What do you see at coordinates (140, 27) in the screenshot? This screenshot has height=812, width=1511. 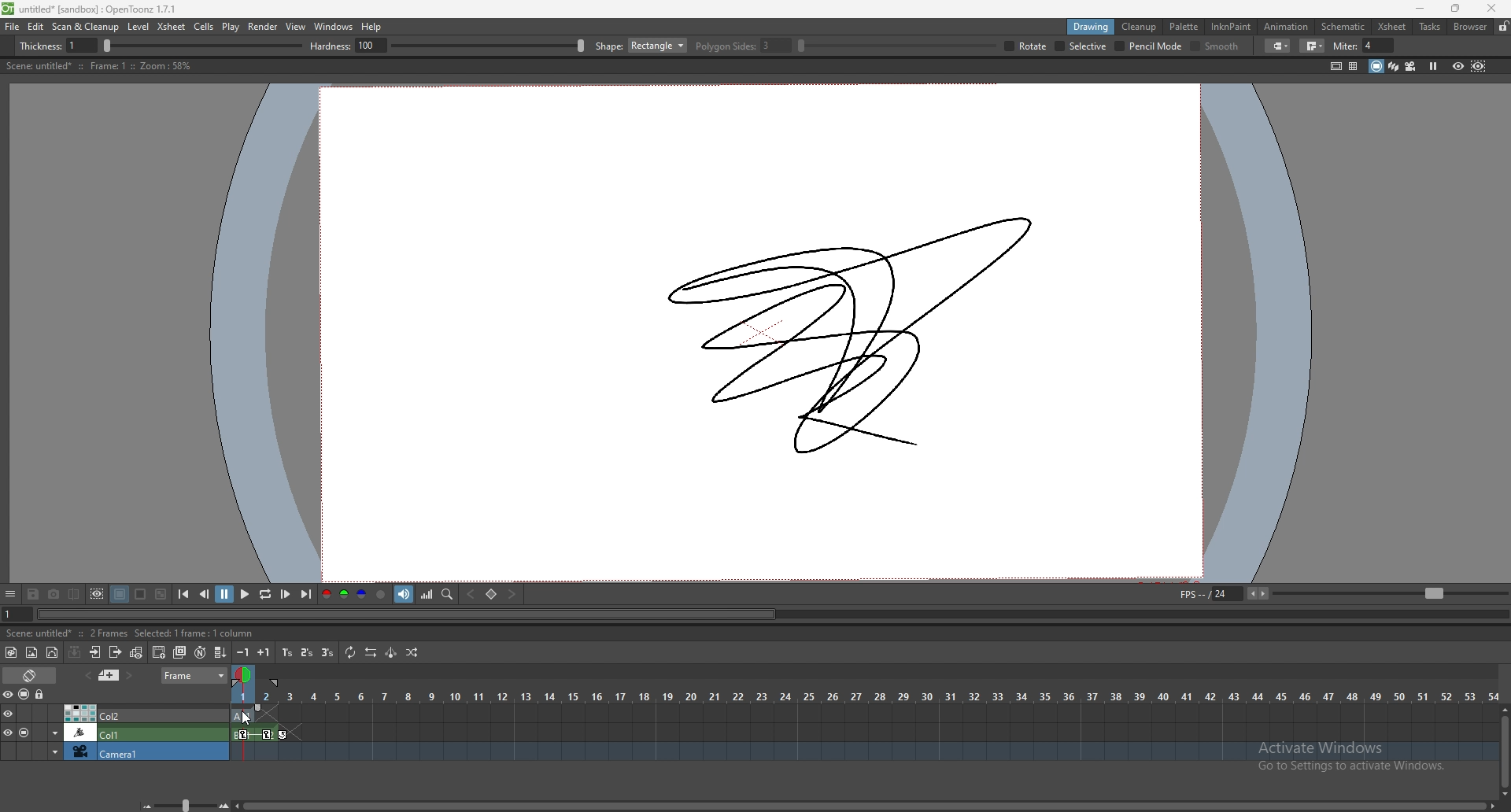 I see `level` at bounding box center [140, 27].